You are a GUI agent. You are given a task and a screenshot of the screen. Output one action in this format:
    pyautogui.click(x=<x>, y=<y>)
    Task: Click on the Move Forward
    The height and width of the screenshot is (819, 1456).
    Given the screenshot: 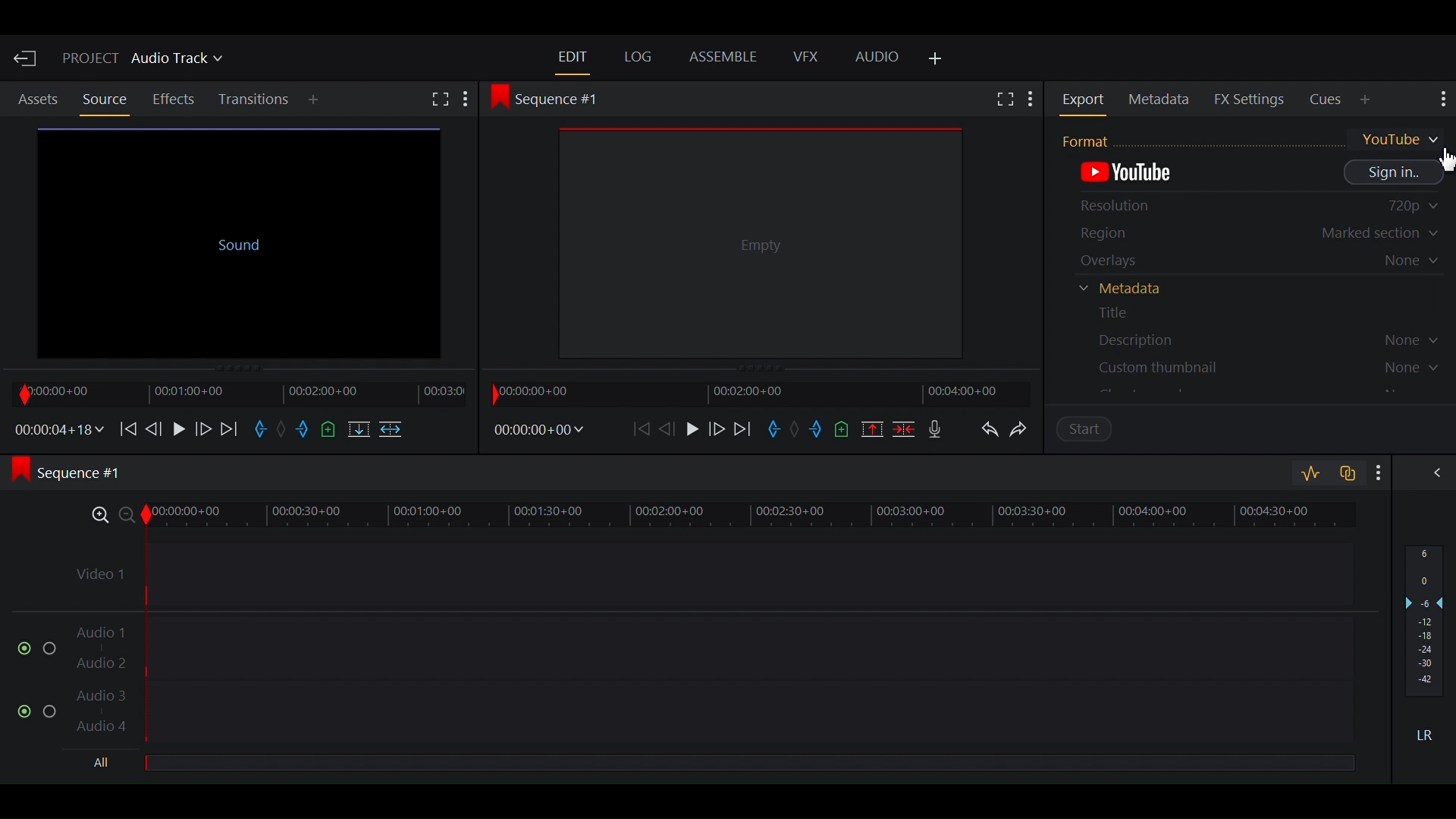 What is the action you would take?
    pyautogui.click(x=231, y=428)
    